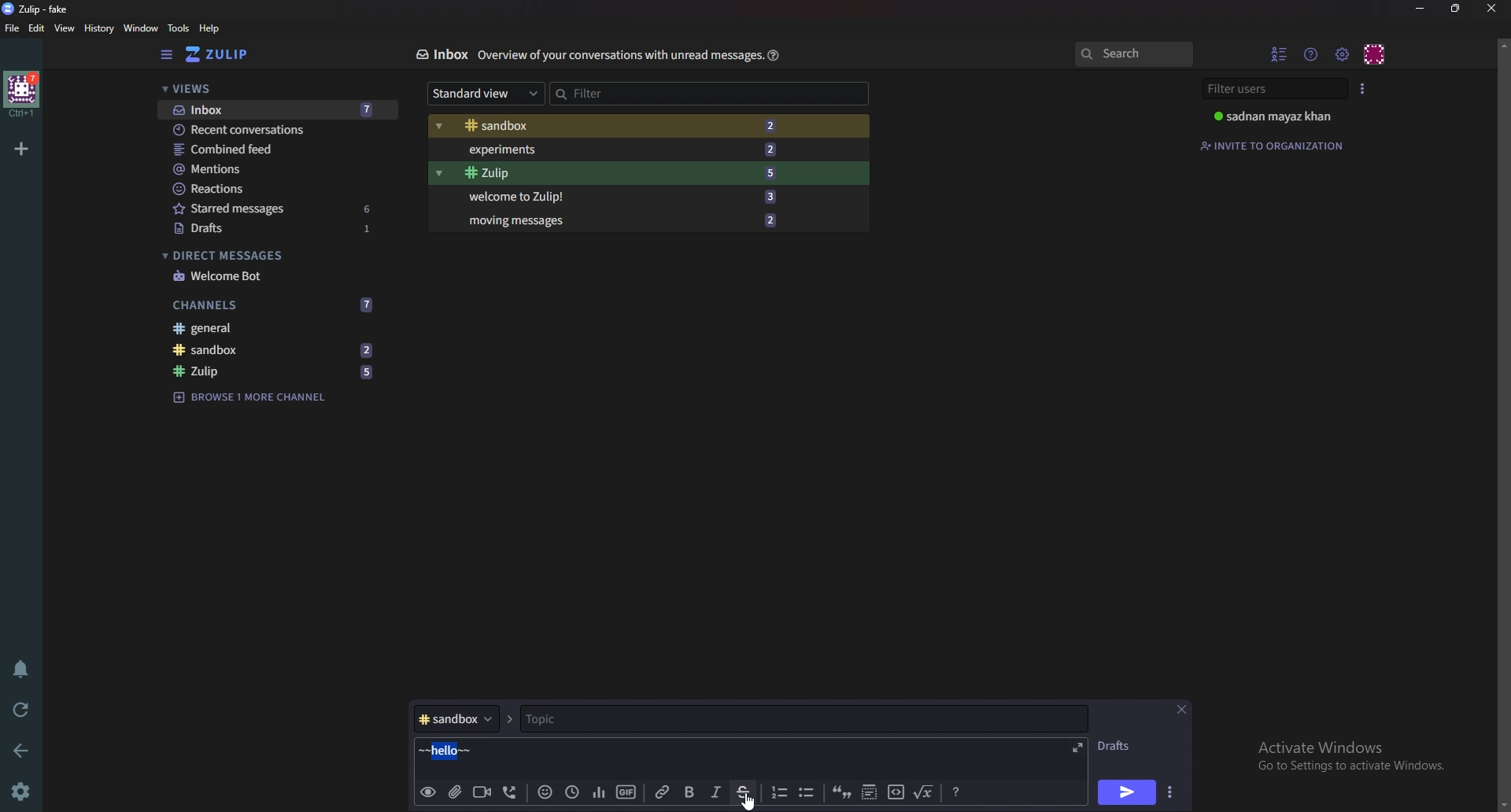 The image size is (1511, 812). Describe the element at coordinates (715, 793) in the screenshot. I see `Italic` at that location.